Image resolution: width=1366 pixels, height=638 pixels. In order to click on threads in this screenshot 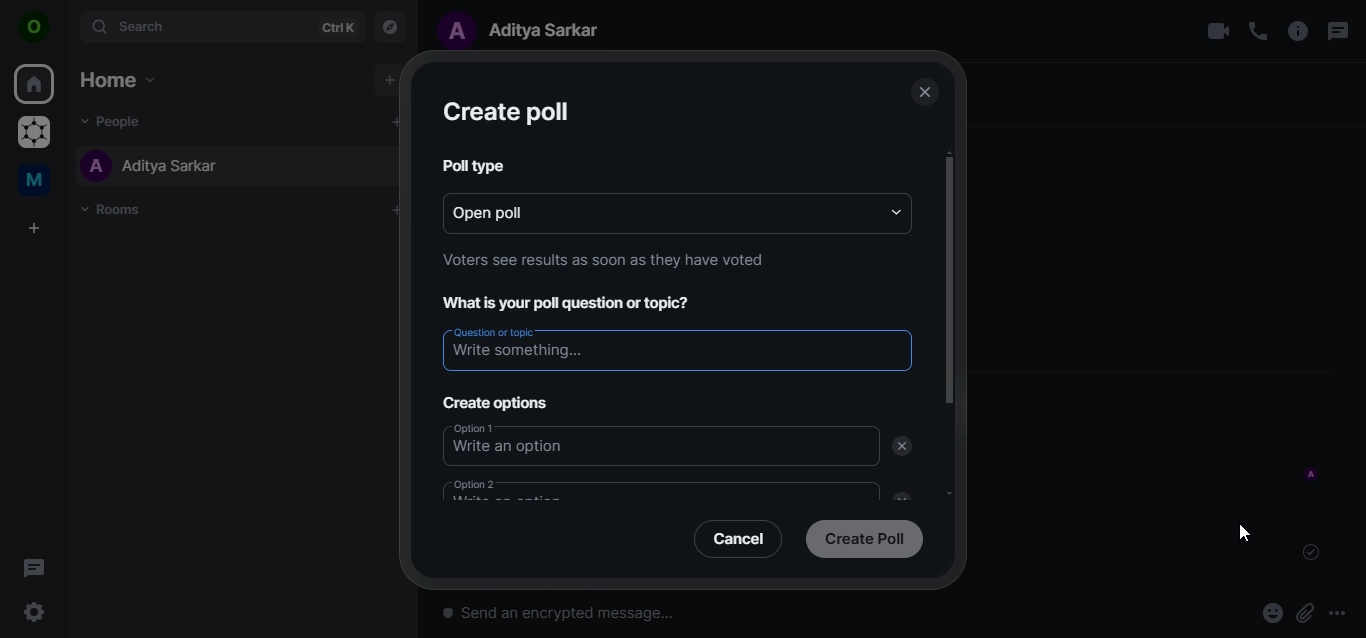, I will do `click(34, 567)`.